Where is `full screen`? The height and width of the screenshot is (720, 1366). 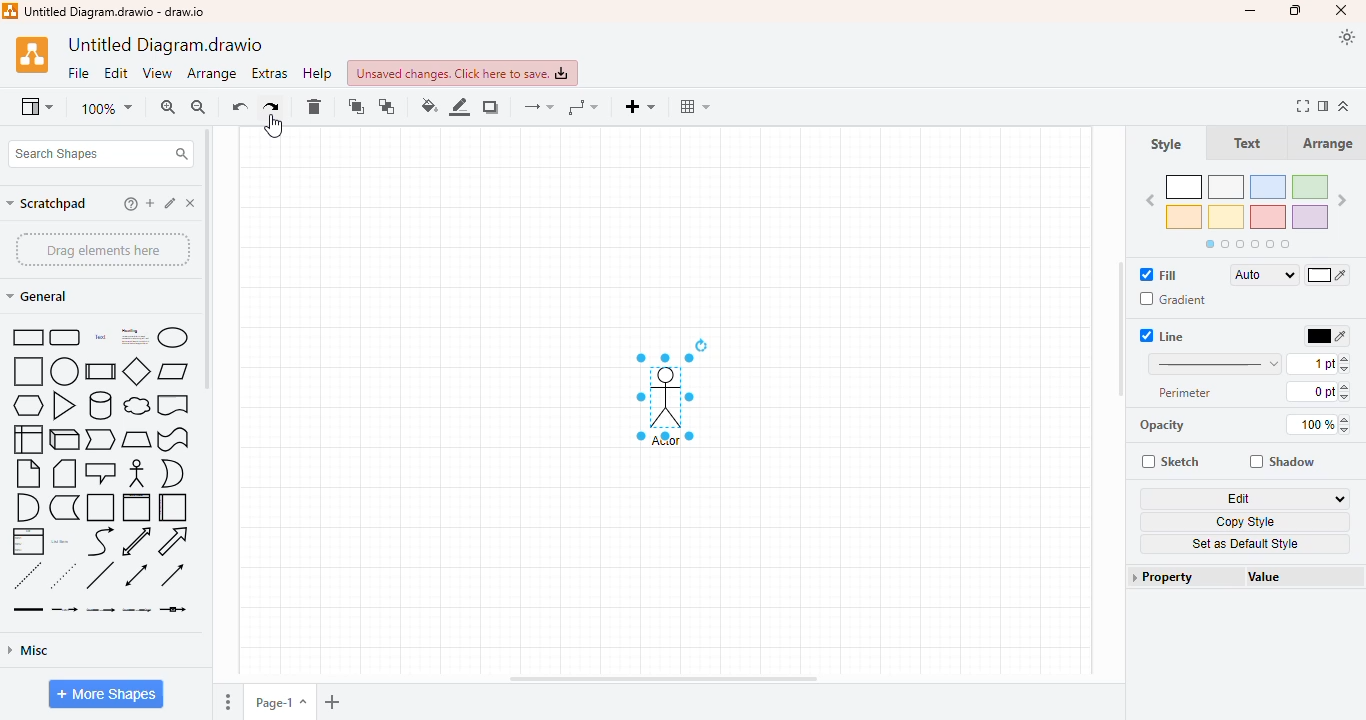 full screen is located at coordinates (1305, 106).